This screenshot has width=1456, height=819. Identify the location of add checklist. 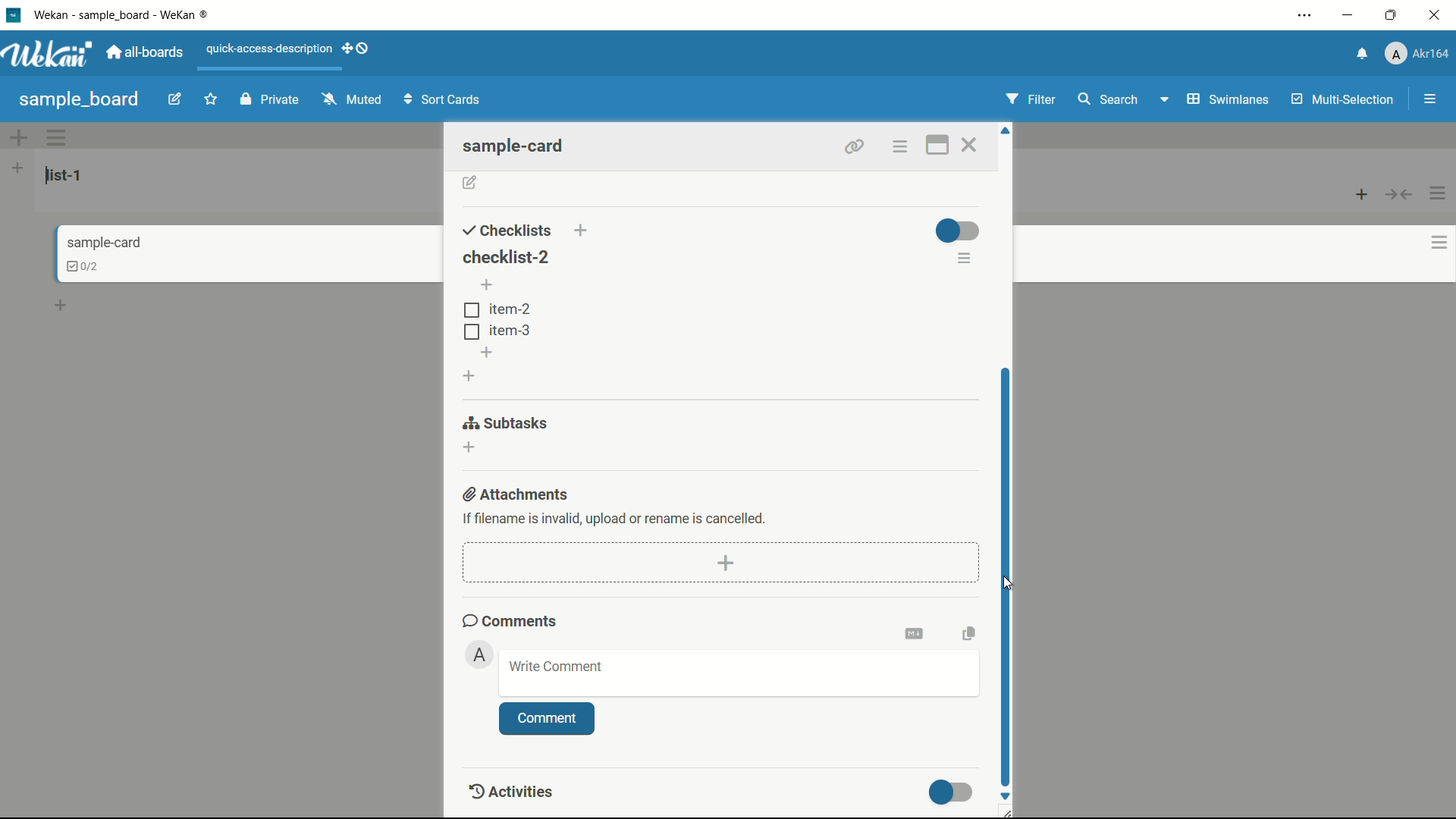
(583, 231).